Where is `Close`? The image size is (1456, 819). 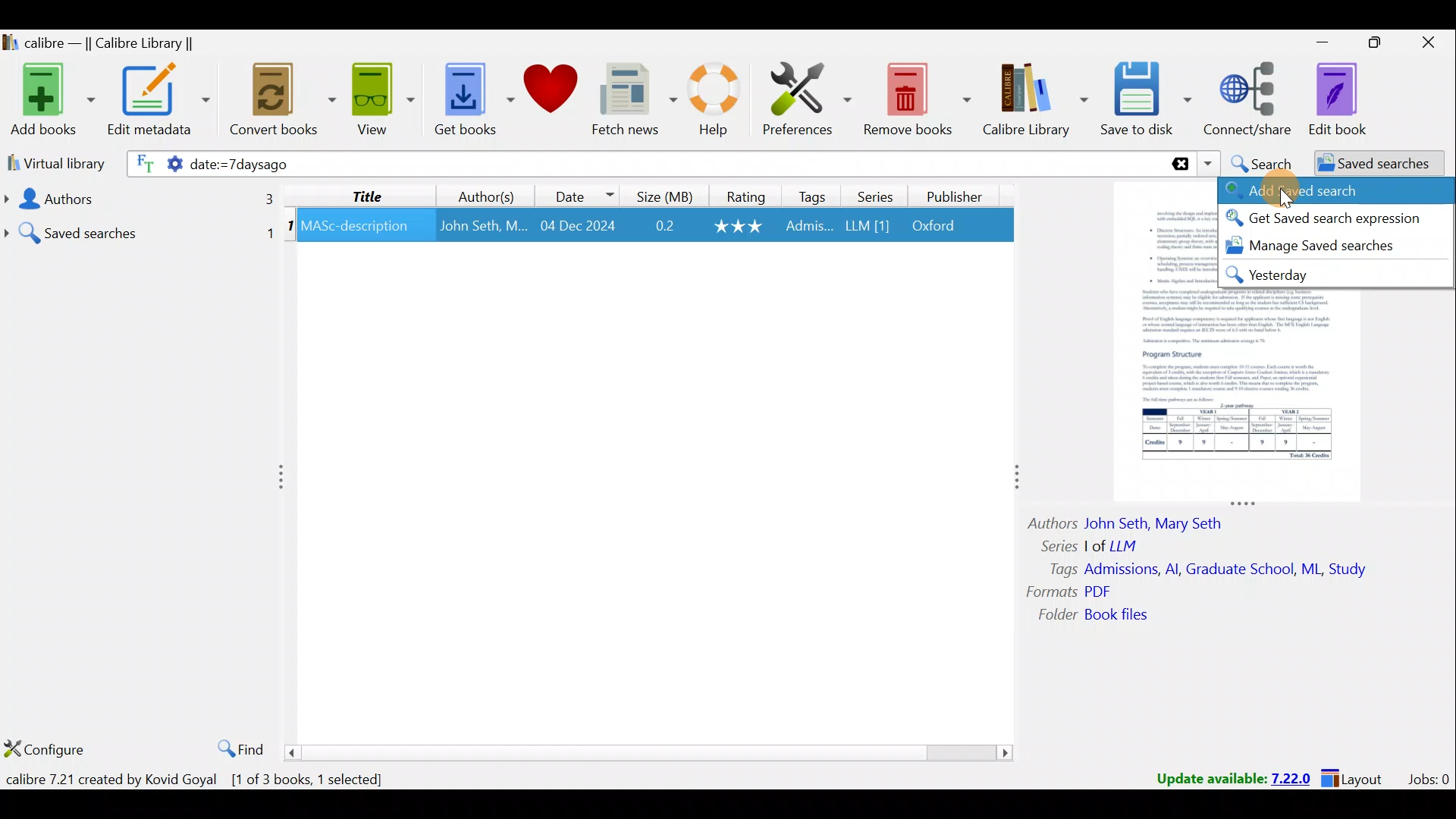
Close is located at coordinates (1426, 45).